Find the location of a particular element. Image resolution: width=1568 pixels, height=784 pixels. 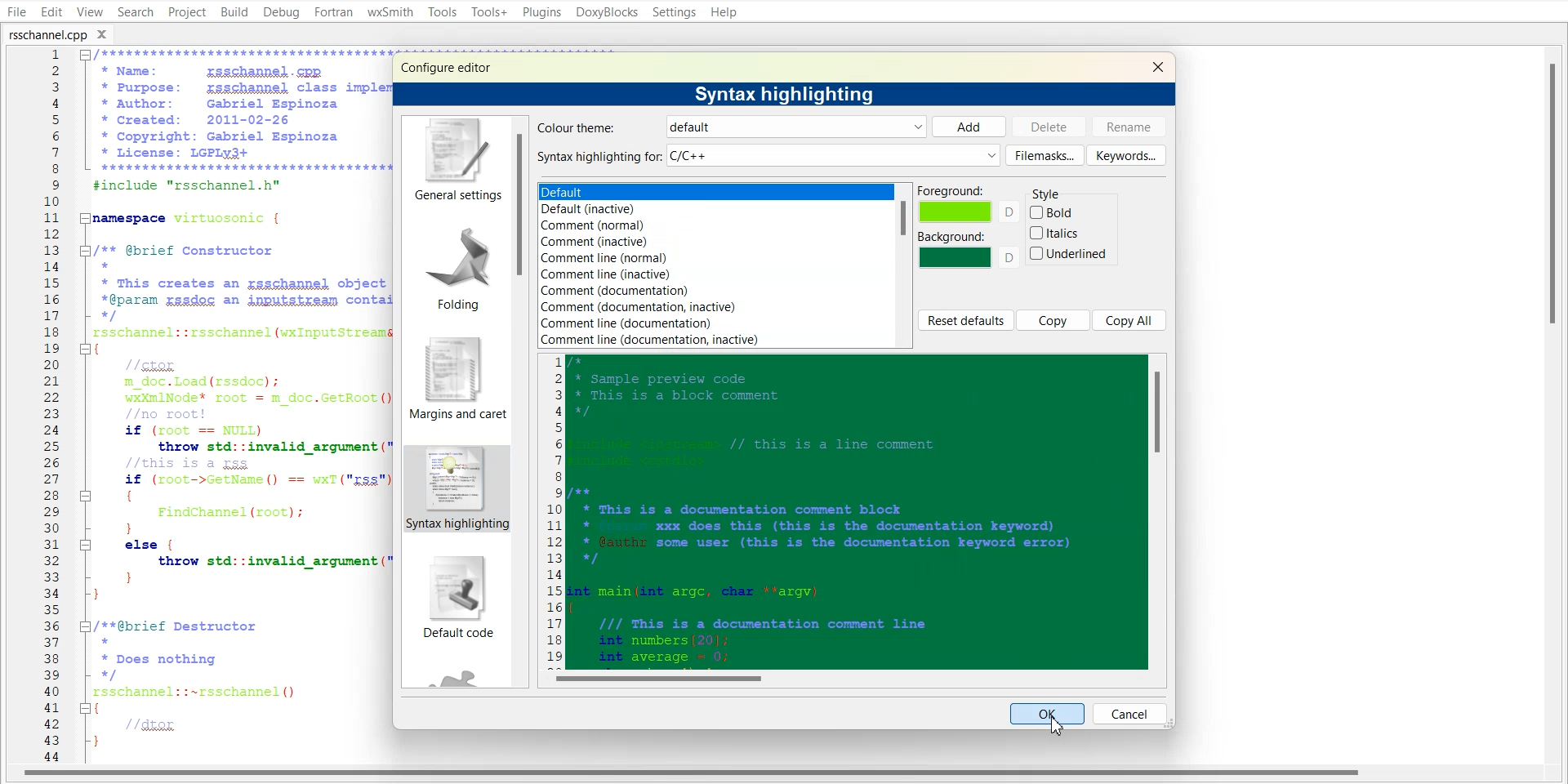

Reset defaults is located at coordinates (965, 320).